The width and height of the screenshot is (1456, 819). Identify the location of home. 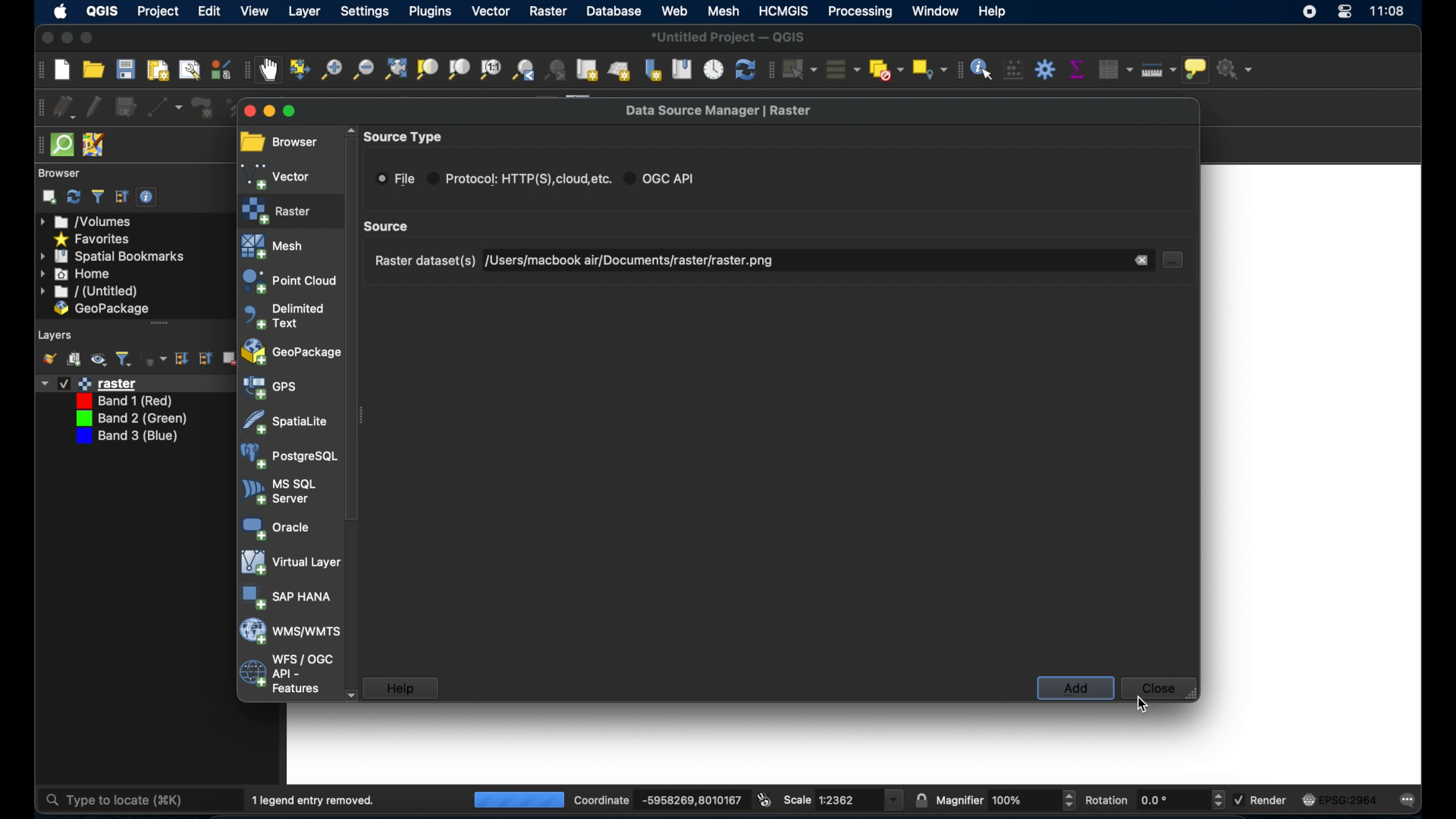
(77, 274).